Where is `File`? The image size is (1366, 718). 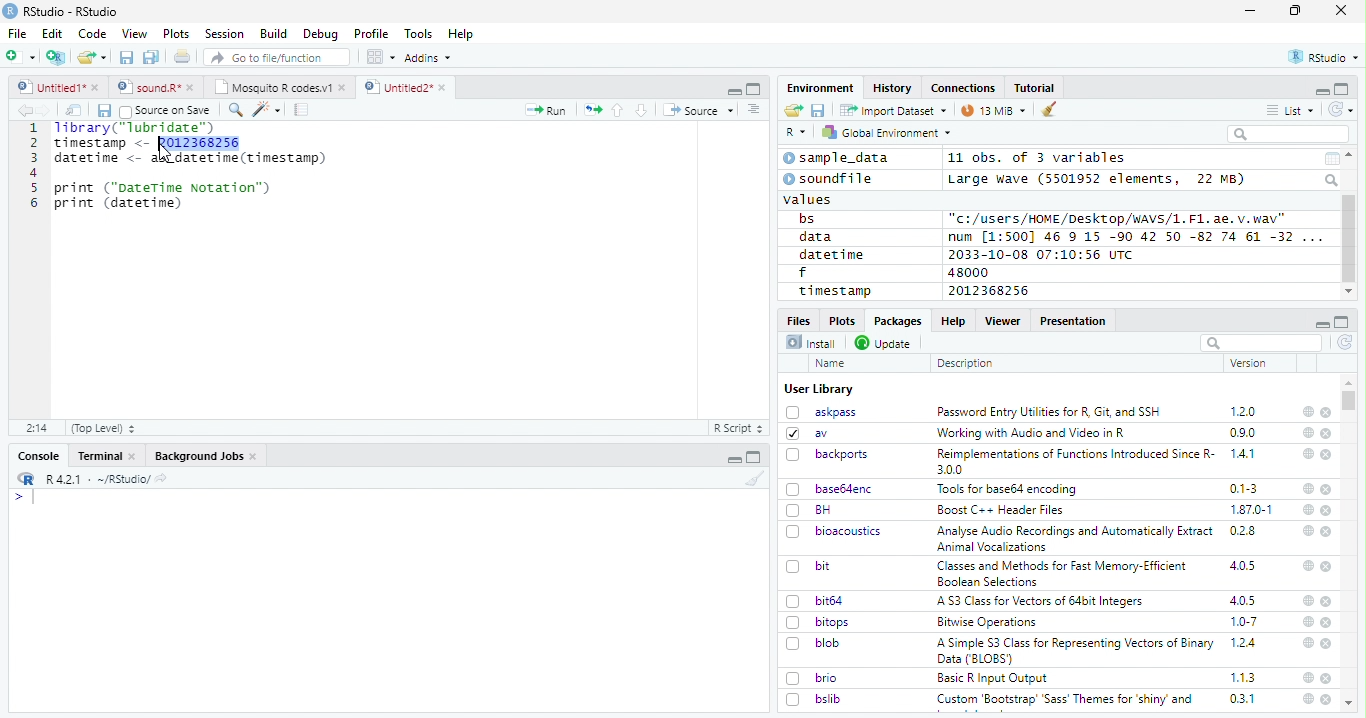
File is located at coordinates (16, 33).